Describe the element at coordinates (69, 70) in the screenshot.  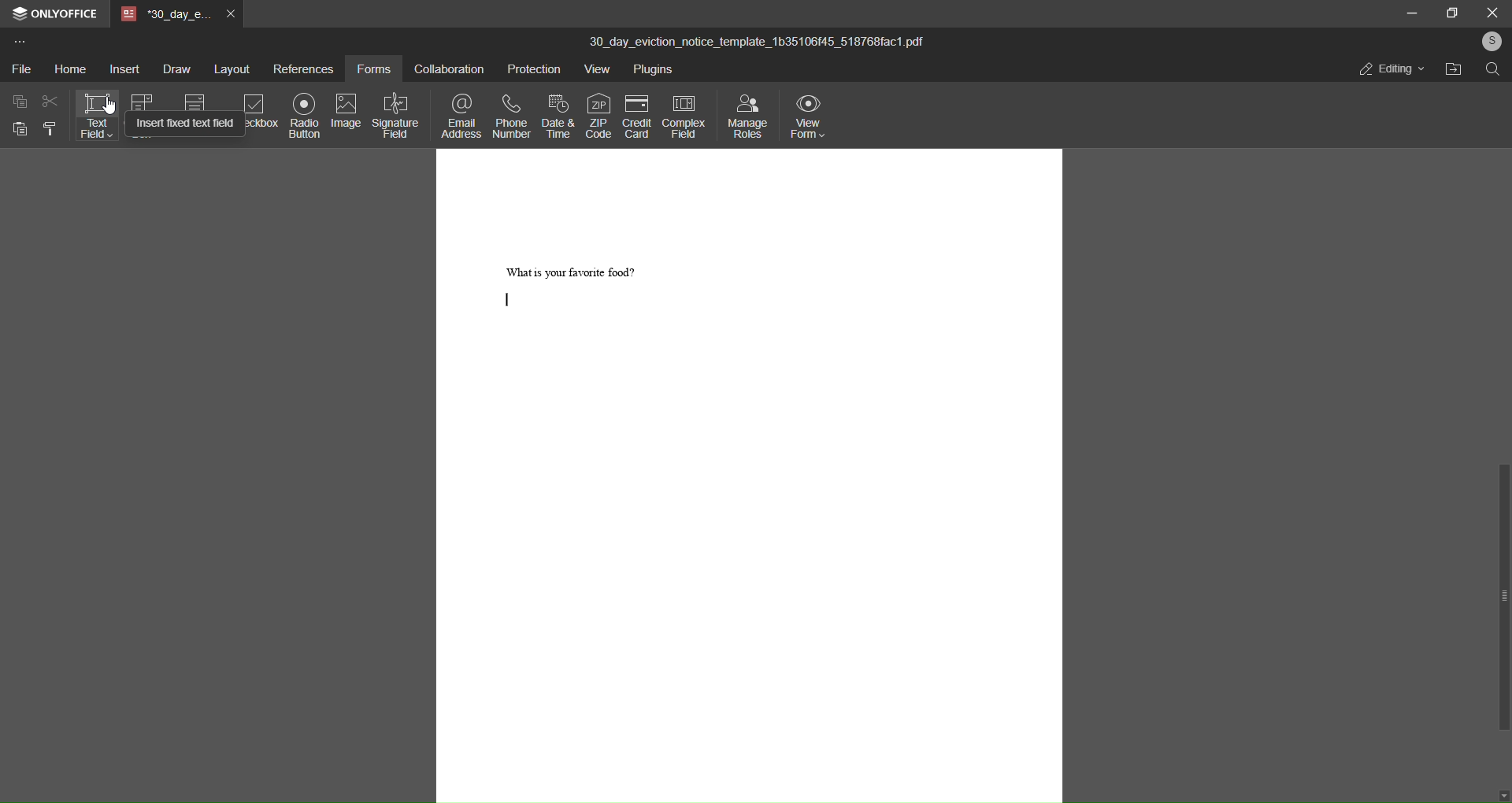
I see `home` at that location.